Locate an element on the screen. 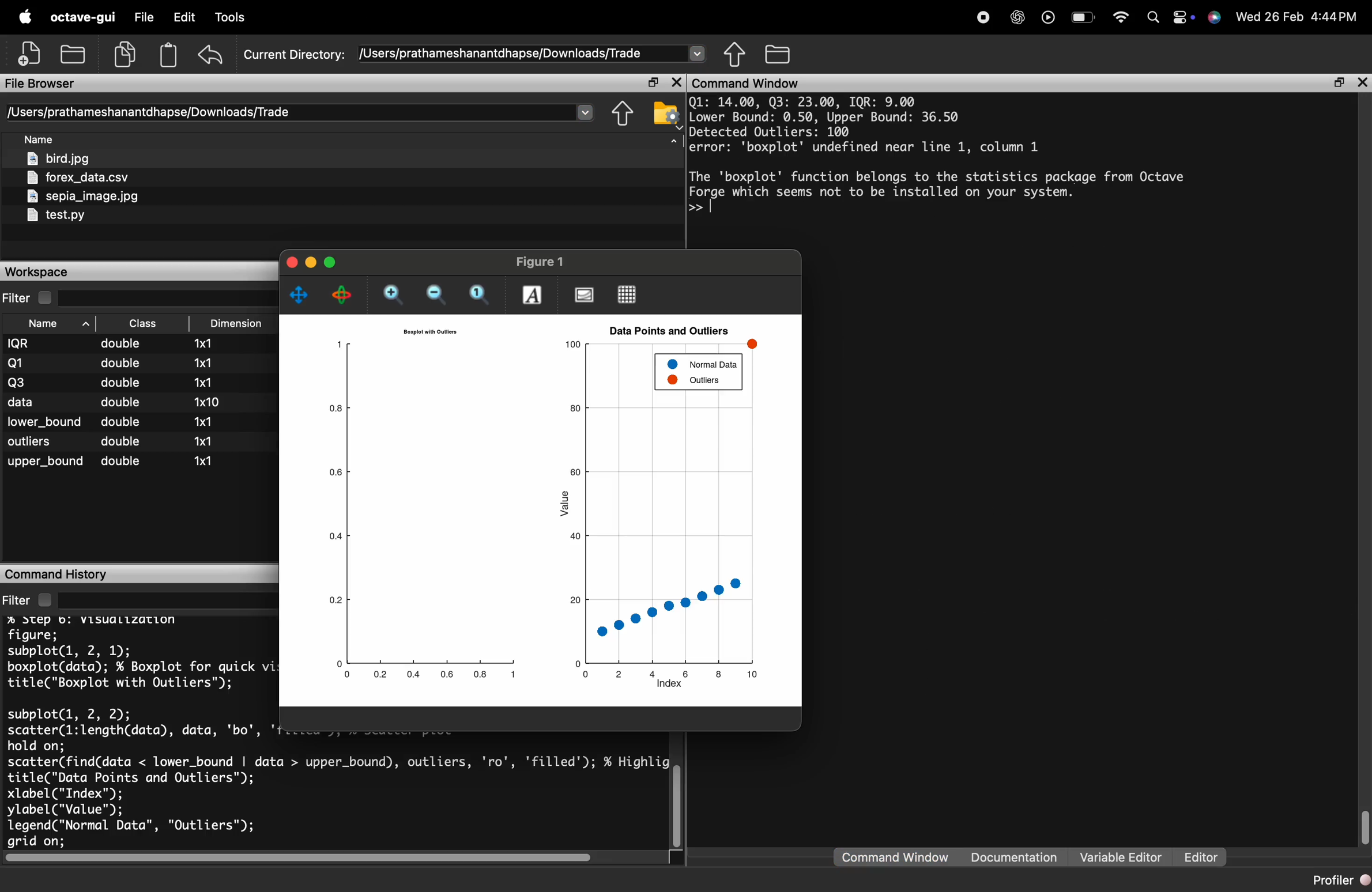 Image resolution: width=1372 pixels, height=892 pixels. upper_bound double 1x1 is located at coordinates (111, 463).